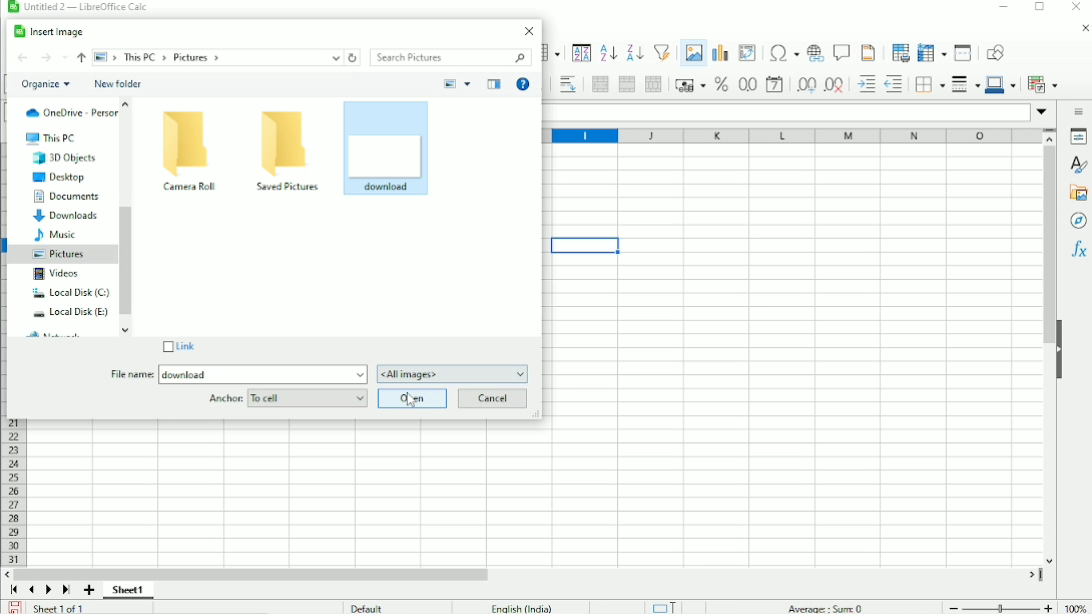  Describe the element at coordinates (412, 399) in the screenshot. I see `Open` at that location.